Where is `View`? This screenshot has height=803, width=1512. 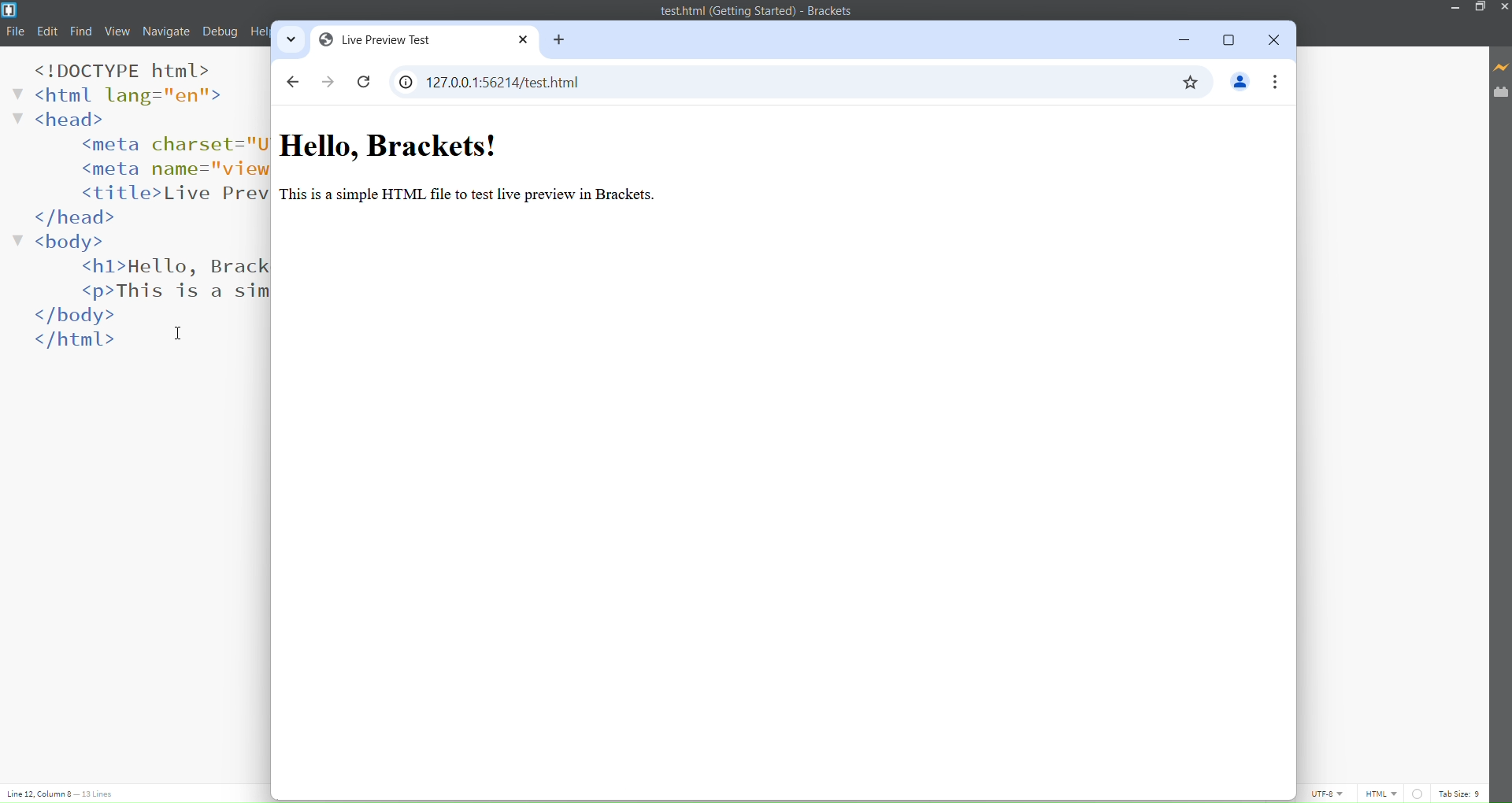
View is located at coordinates (116, 32).